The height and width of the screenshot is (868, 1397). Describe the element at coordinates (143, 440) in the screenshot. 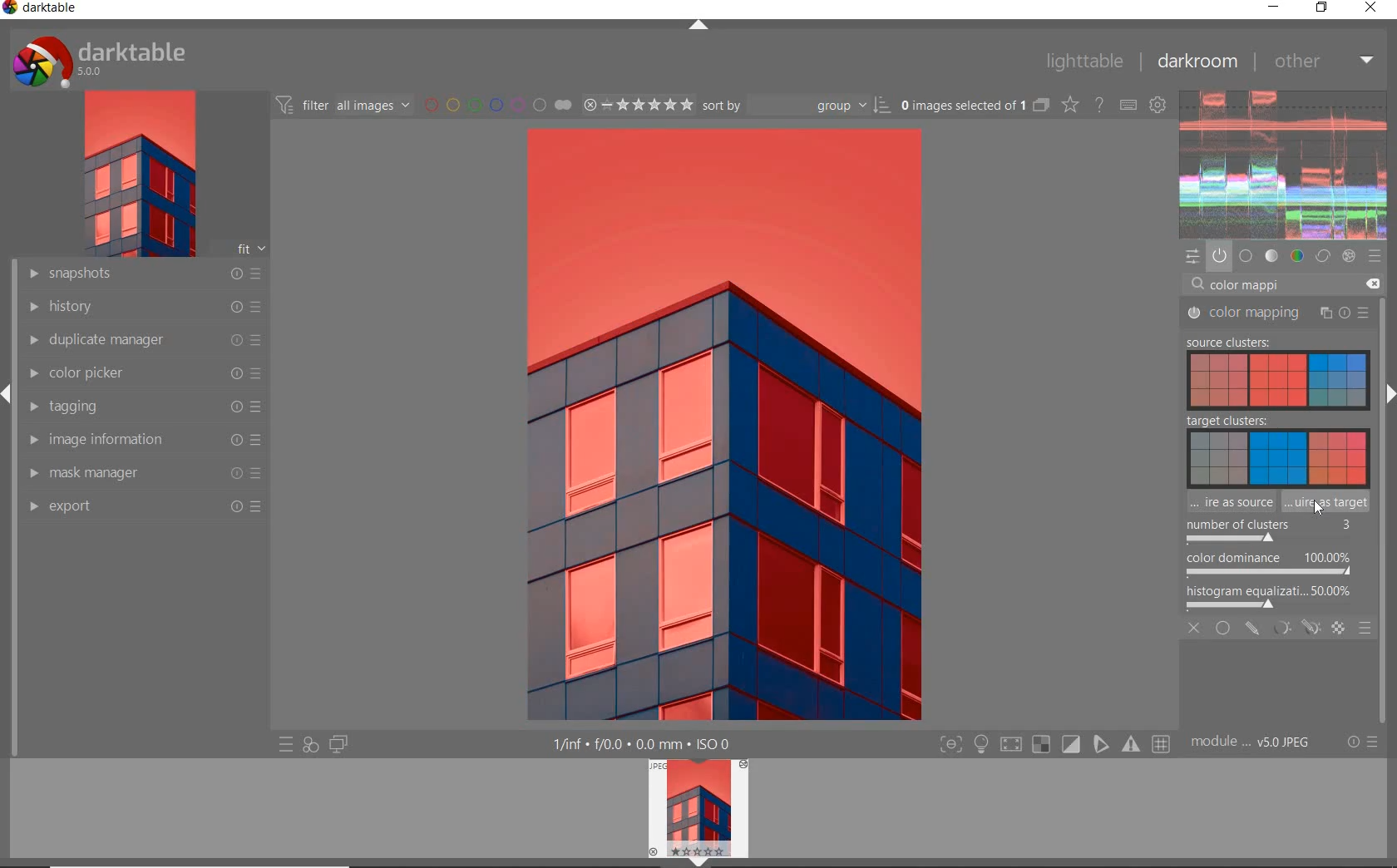

I see `image information` at that location.